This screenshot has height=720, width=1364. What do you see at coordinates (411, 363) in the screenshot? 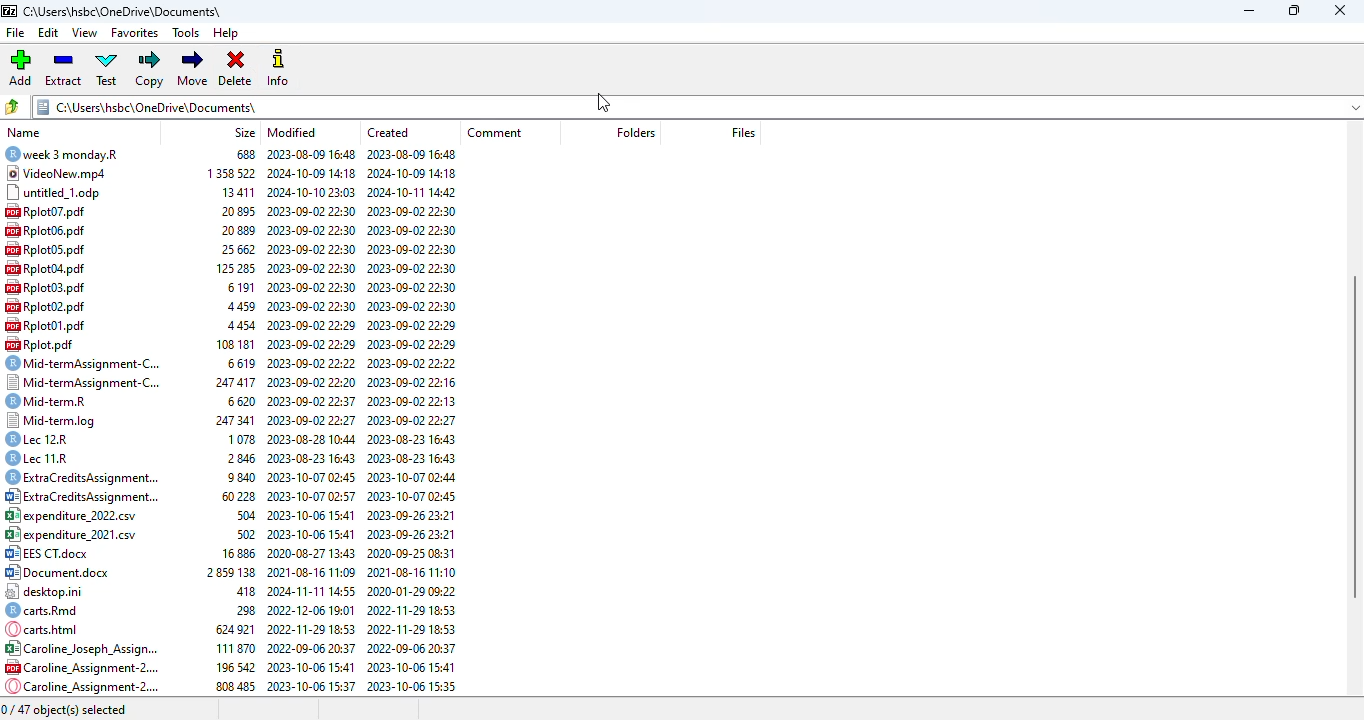
I see `2023-00-02 22:27` at bounding box center [411, 363].